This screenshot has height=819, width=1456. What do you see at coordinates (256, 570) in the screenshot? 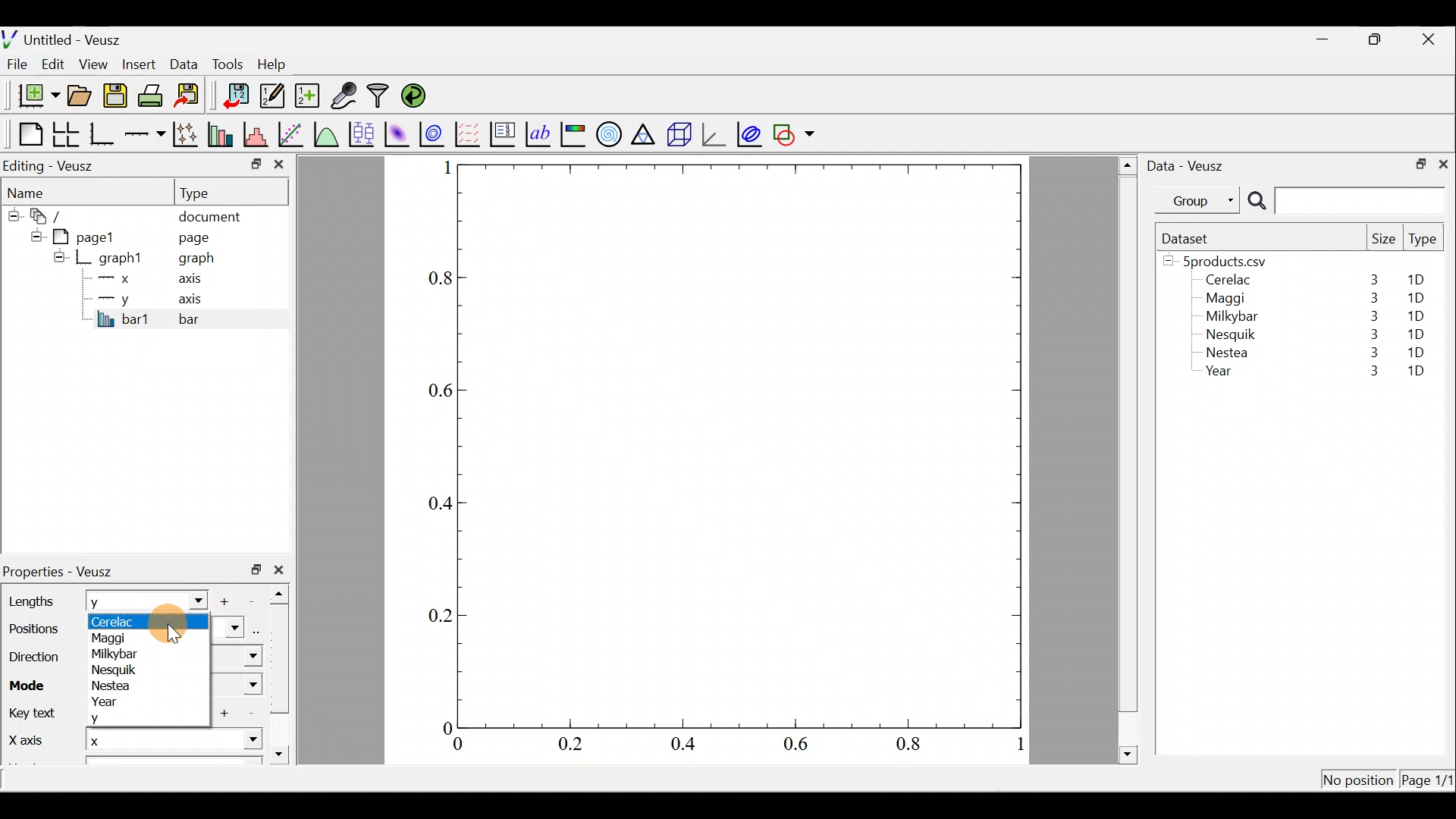
I see `restore down` at bounding box center [256, 570].